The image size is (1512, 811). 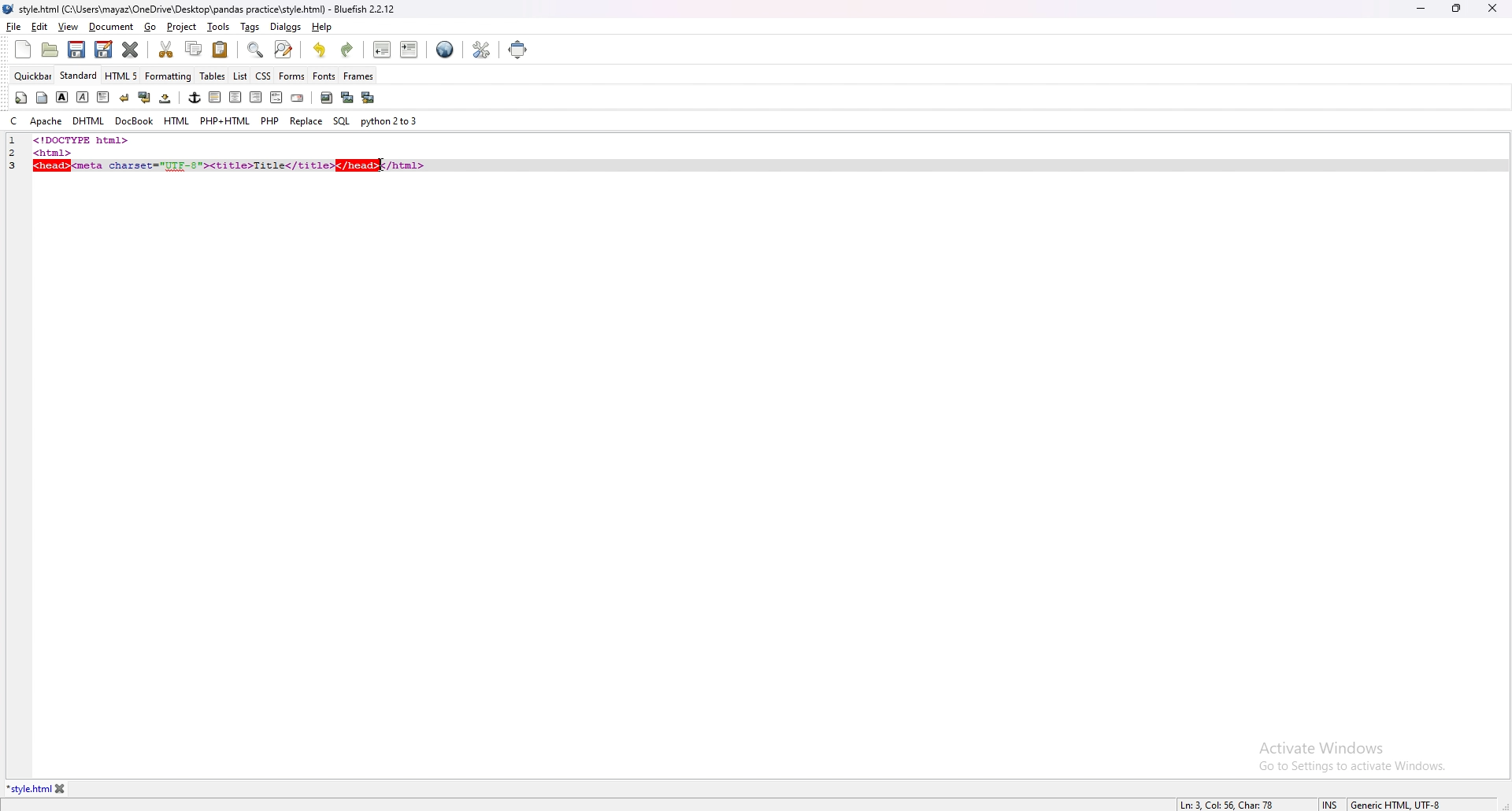 What do you see at coordinates (61, 789) in the screenshot?
I see `close tab` at bounding box center [61, 789].